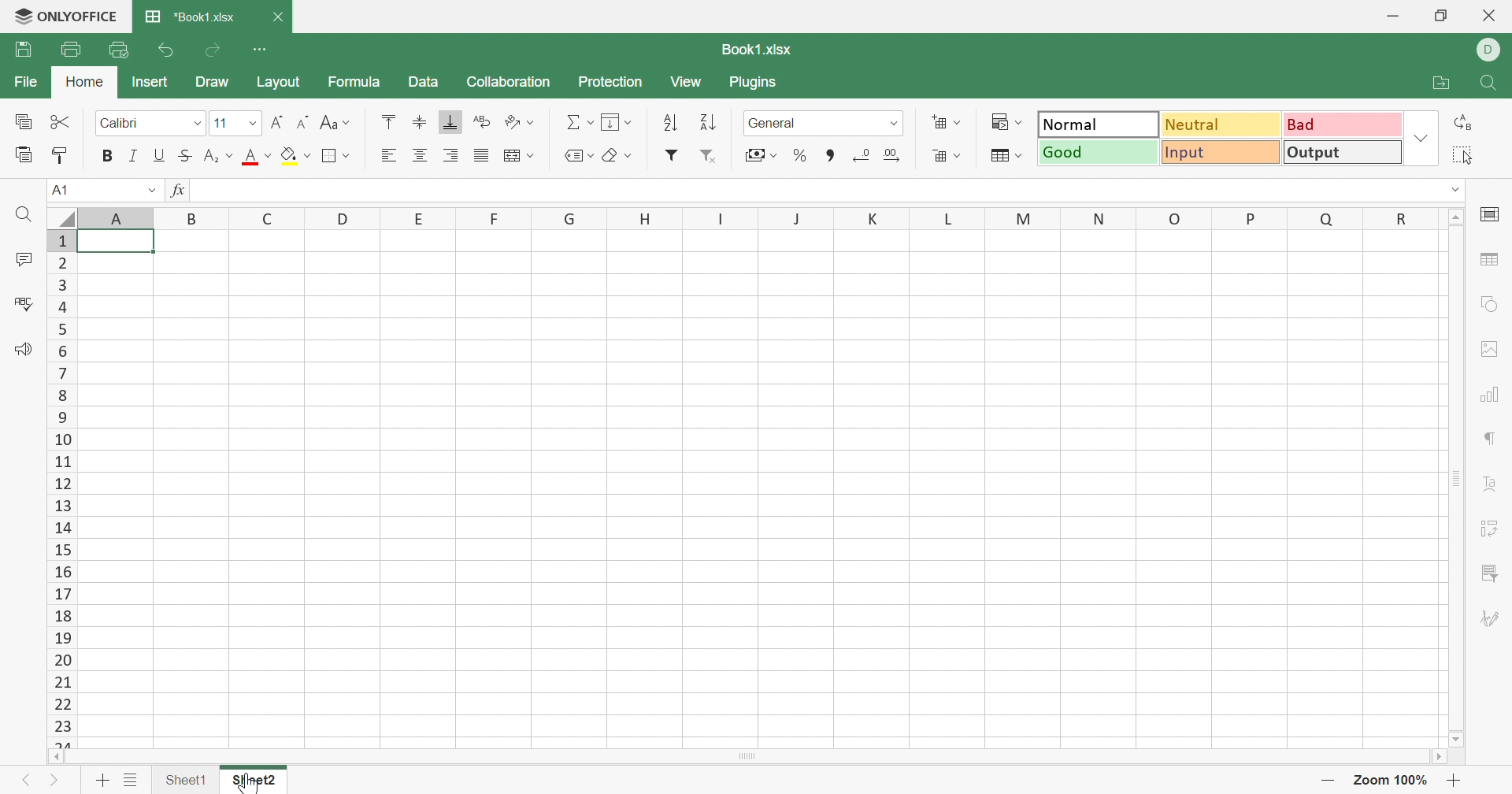  I want to click on Bad, so click(1343, 124).